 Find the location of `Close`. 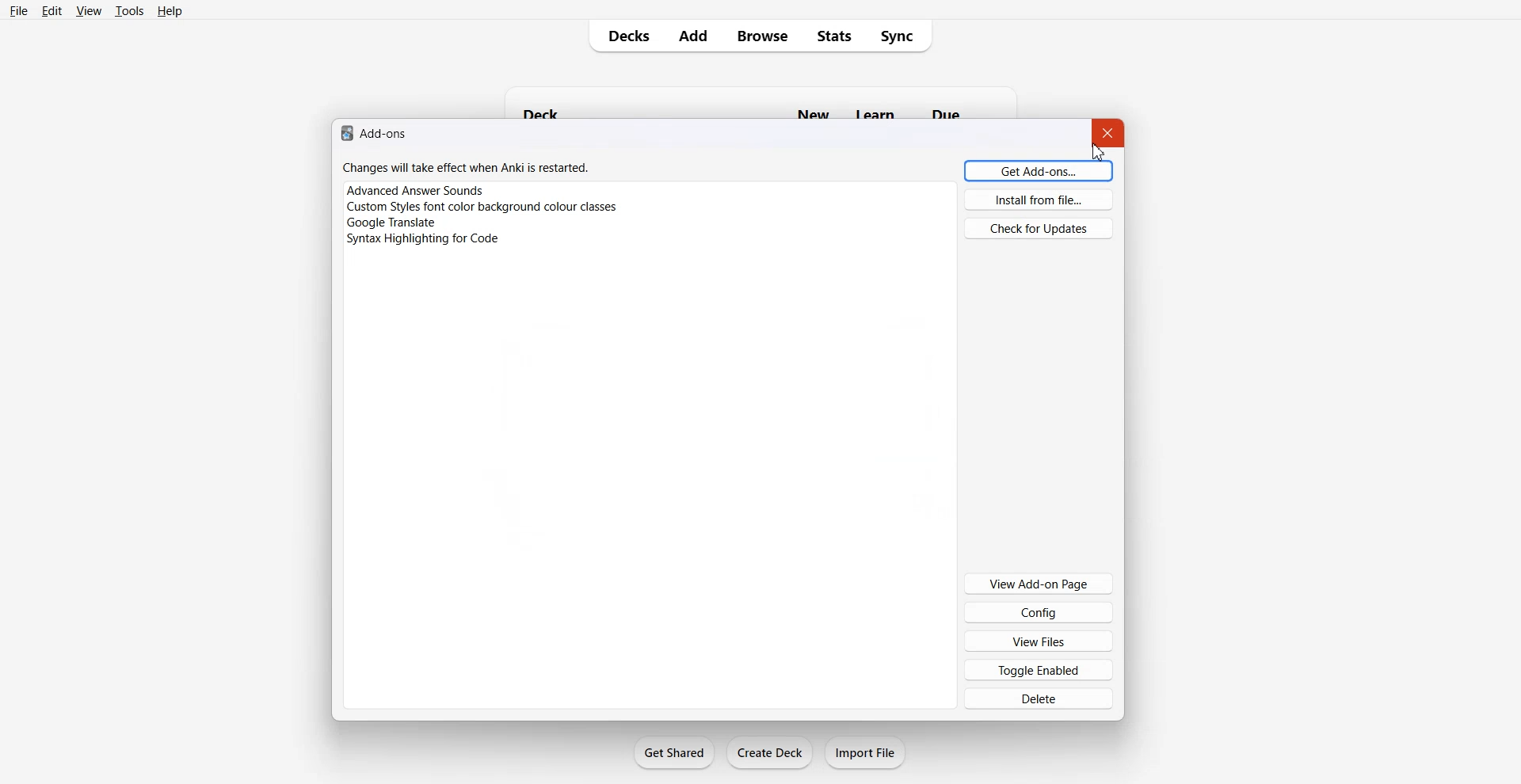

Close is located at coordinates (1109, 133).